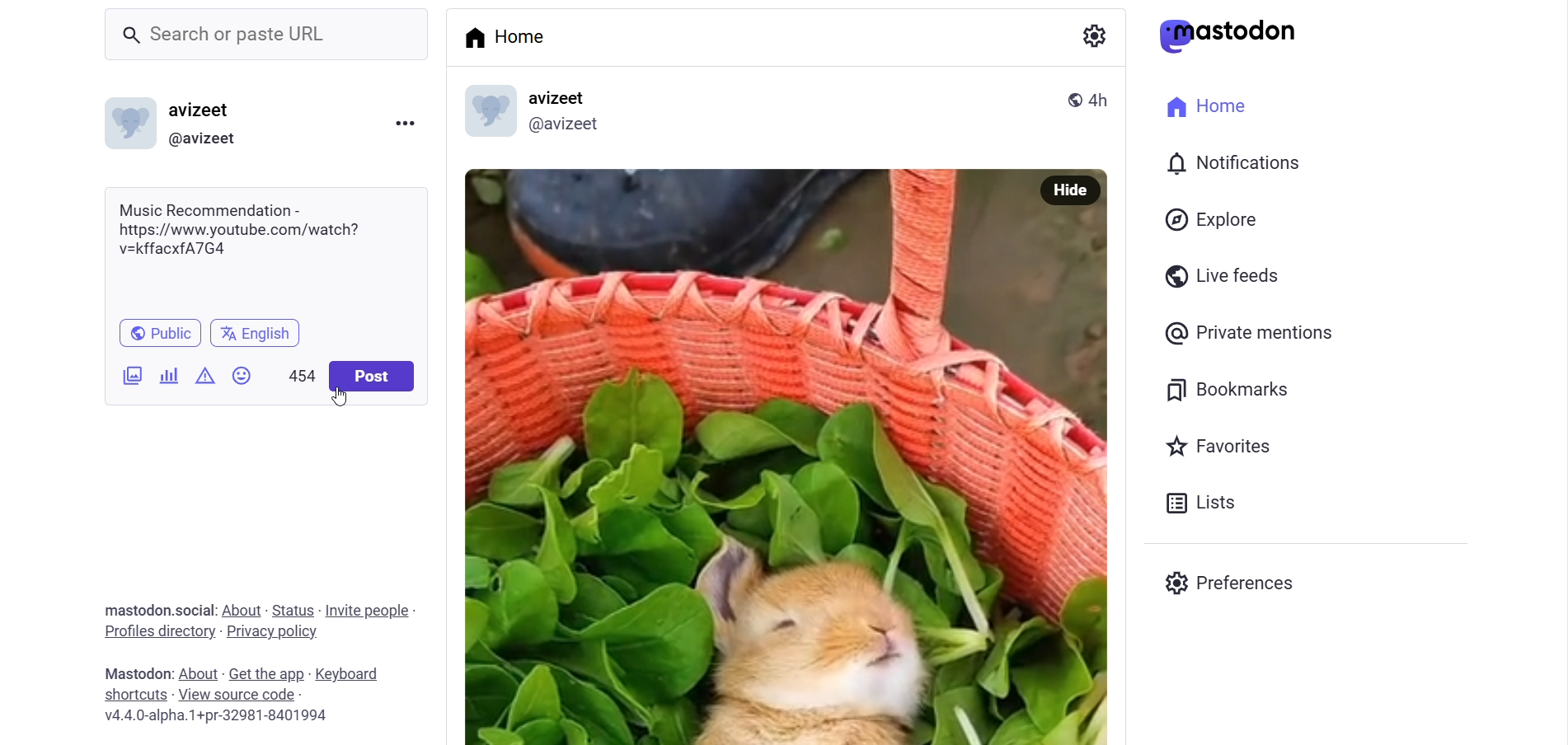 The height and width of the screenshot is (745, 1568). What do you see at coordinates (246, 693) in the screenshot?
I see `source code` at bounding box center [246, 693].